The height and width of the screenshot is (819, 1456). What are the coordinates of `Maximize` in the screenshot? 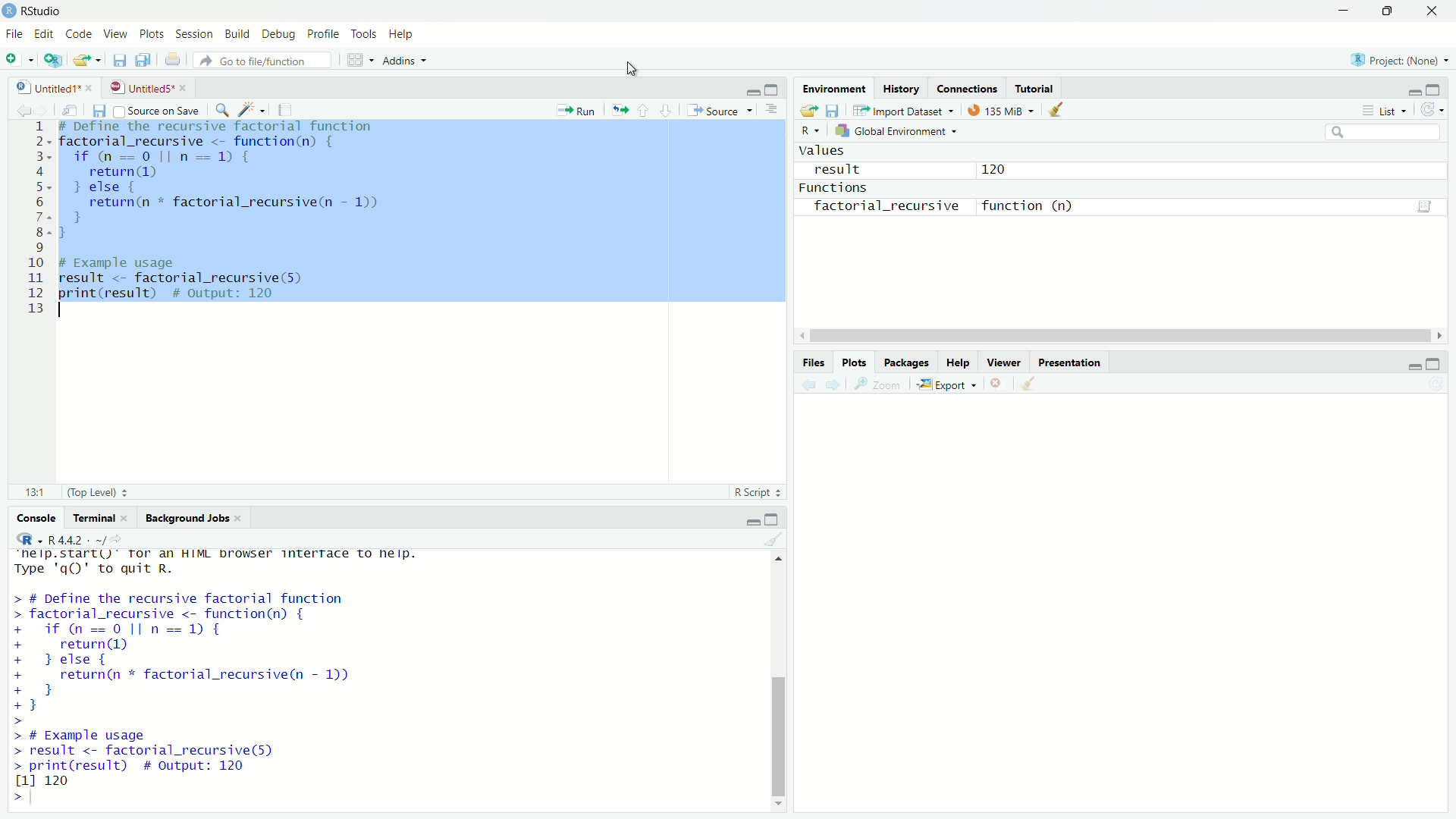 It's located at (1434, 365).